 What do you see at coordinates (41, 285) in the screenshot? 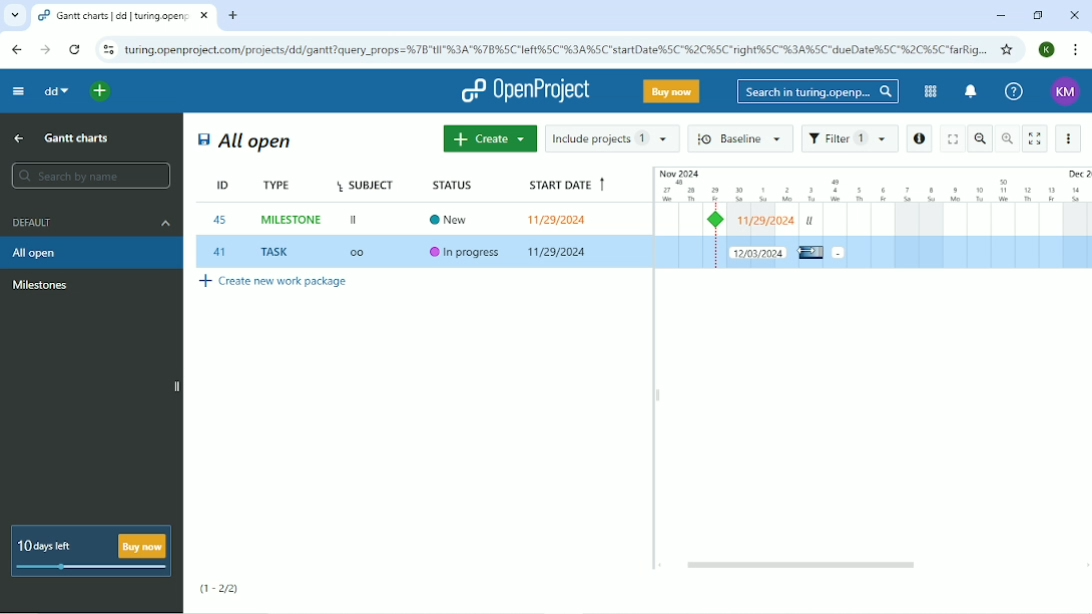
I see `Milestone` at bounding box center [41, 285].